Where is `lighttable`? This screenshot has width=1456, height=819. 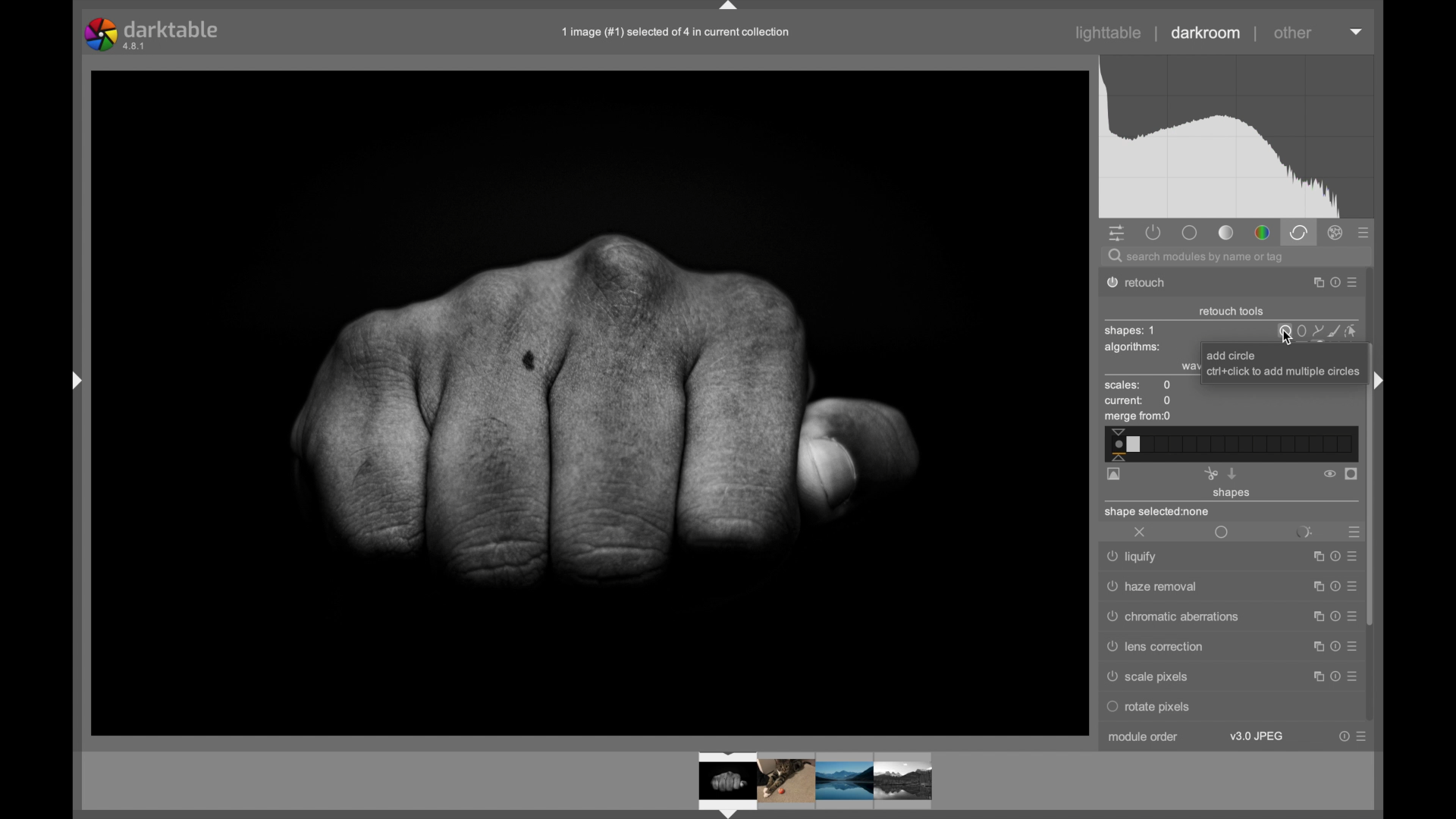
lighttable is located at coordinates (1109, 33).